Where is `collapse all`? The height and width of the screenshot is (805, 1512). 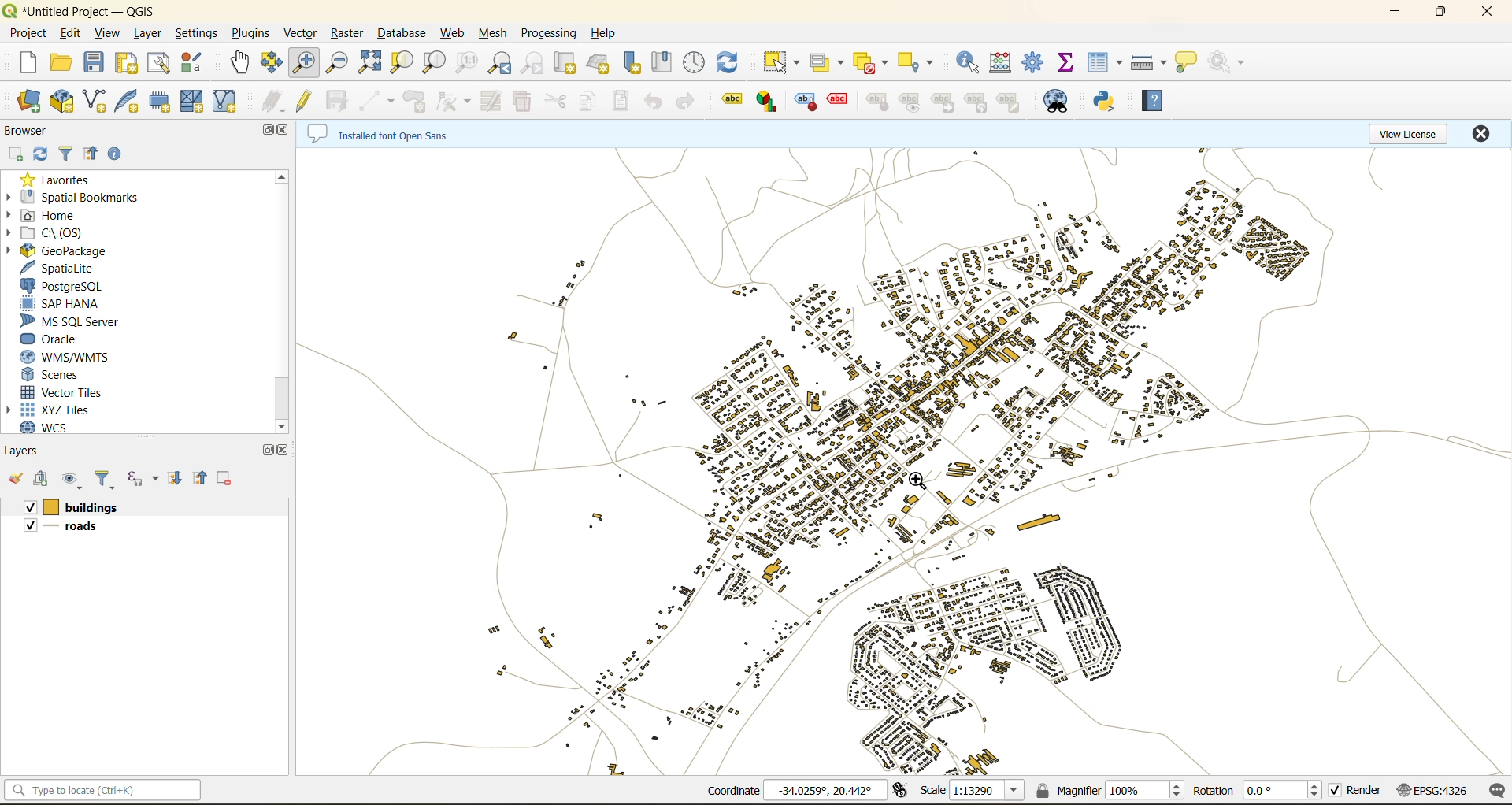 collapse all is located at coordinates (198, 477).